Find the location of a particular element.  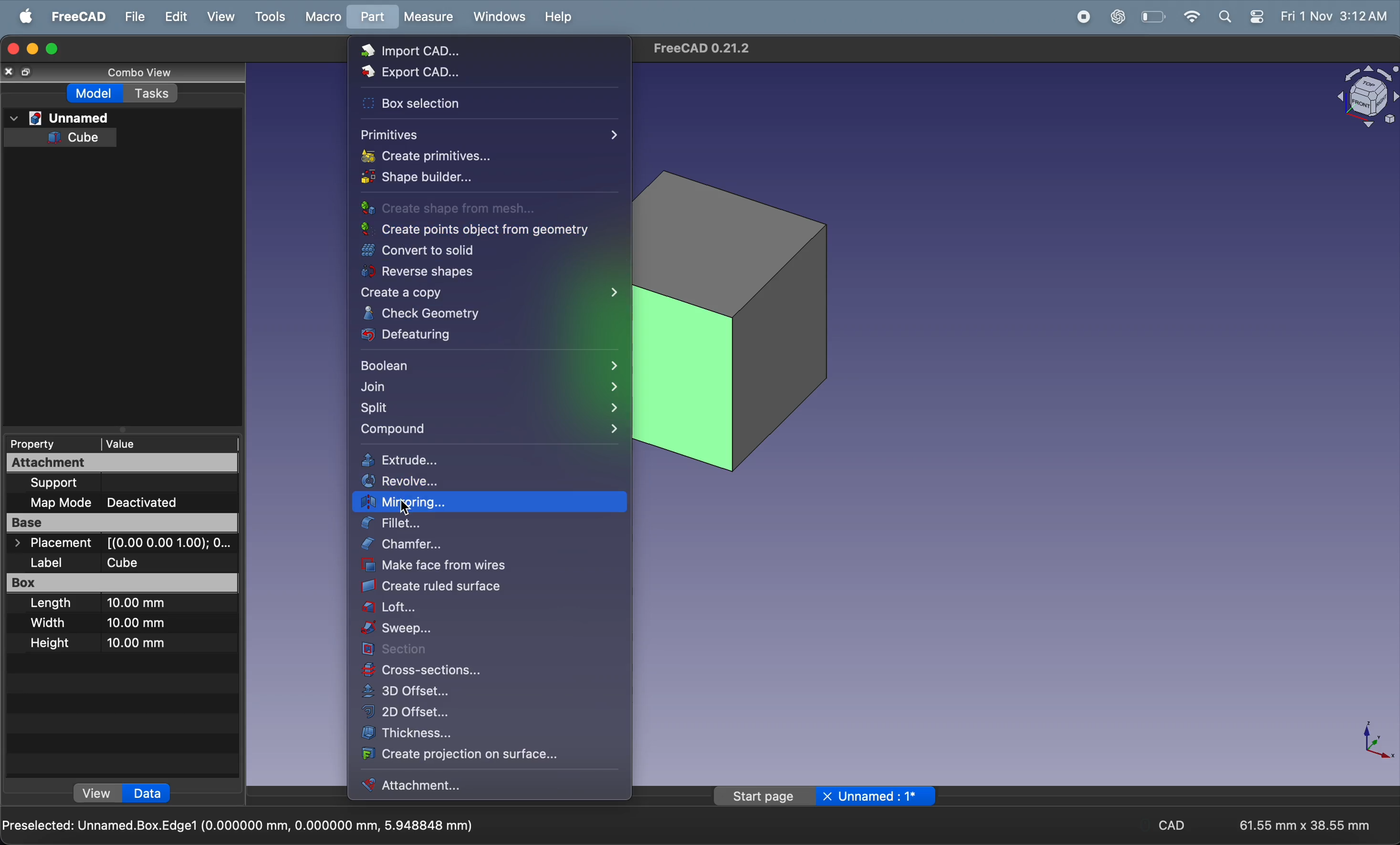

make faces from wires is located at coordinates (469, 564).